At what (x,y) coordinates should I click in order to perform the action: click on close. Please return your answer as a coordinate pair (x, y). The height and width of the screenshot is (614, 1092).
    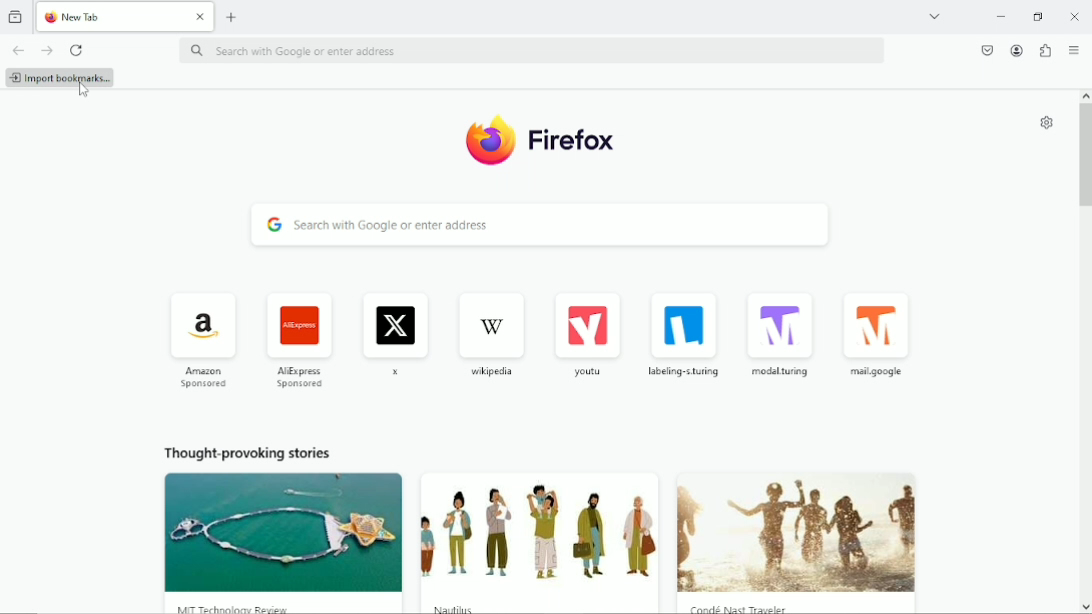
    Looking at the image, I should click on (1074, 18).